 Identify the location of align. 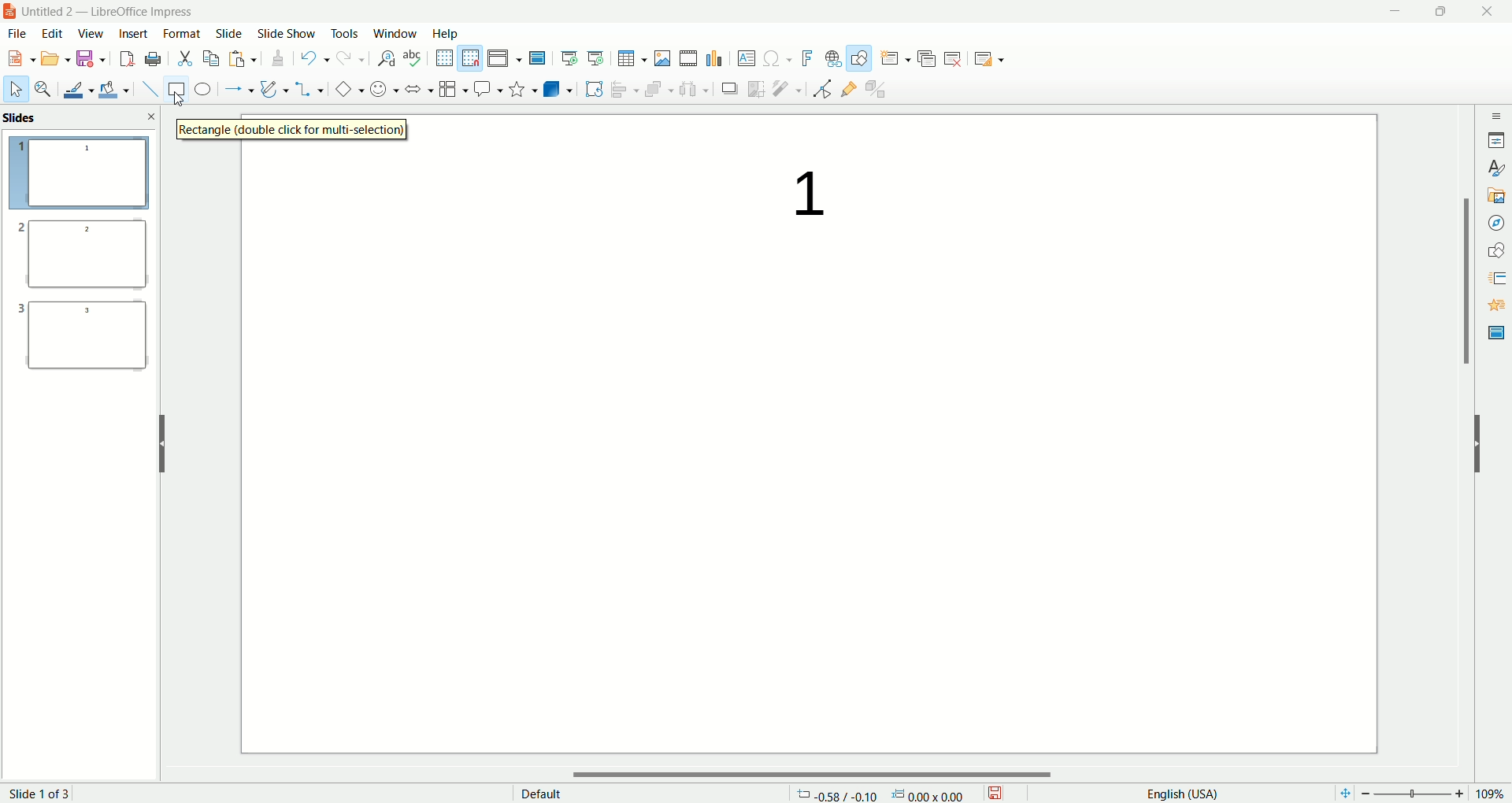
(623, 87).